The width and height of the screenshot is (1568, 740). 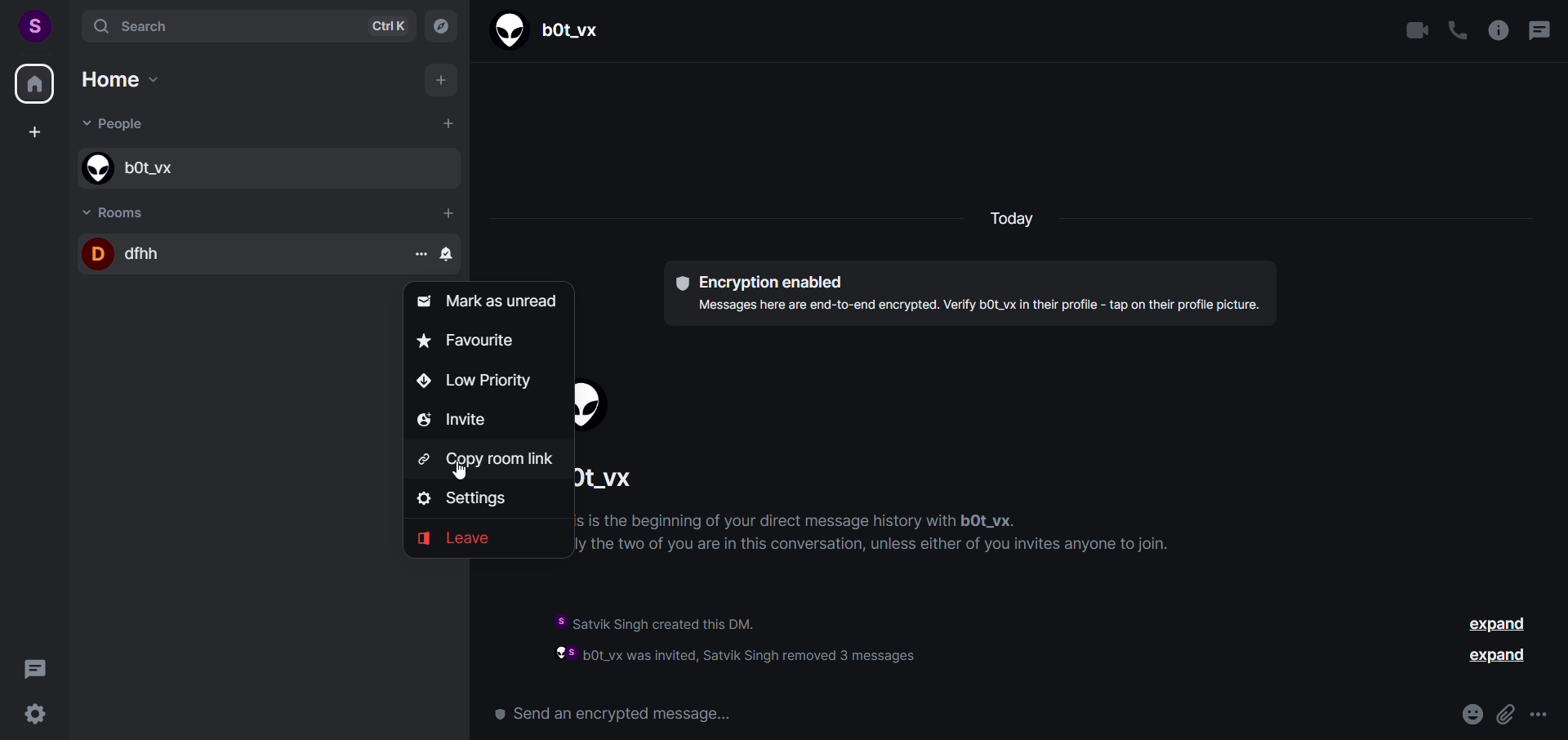 What do you see at coordinates (1495, 624) in the screenshot?
I see `expand` at bounding box center [1495, 624].